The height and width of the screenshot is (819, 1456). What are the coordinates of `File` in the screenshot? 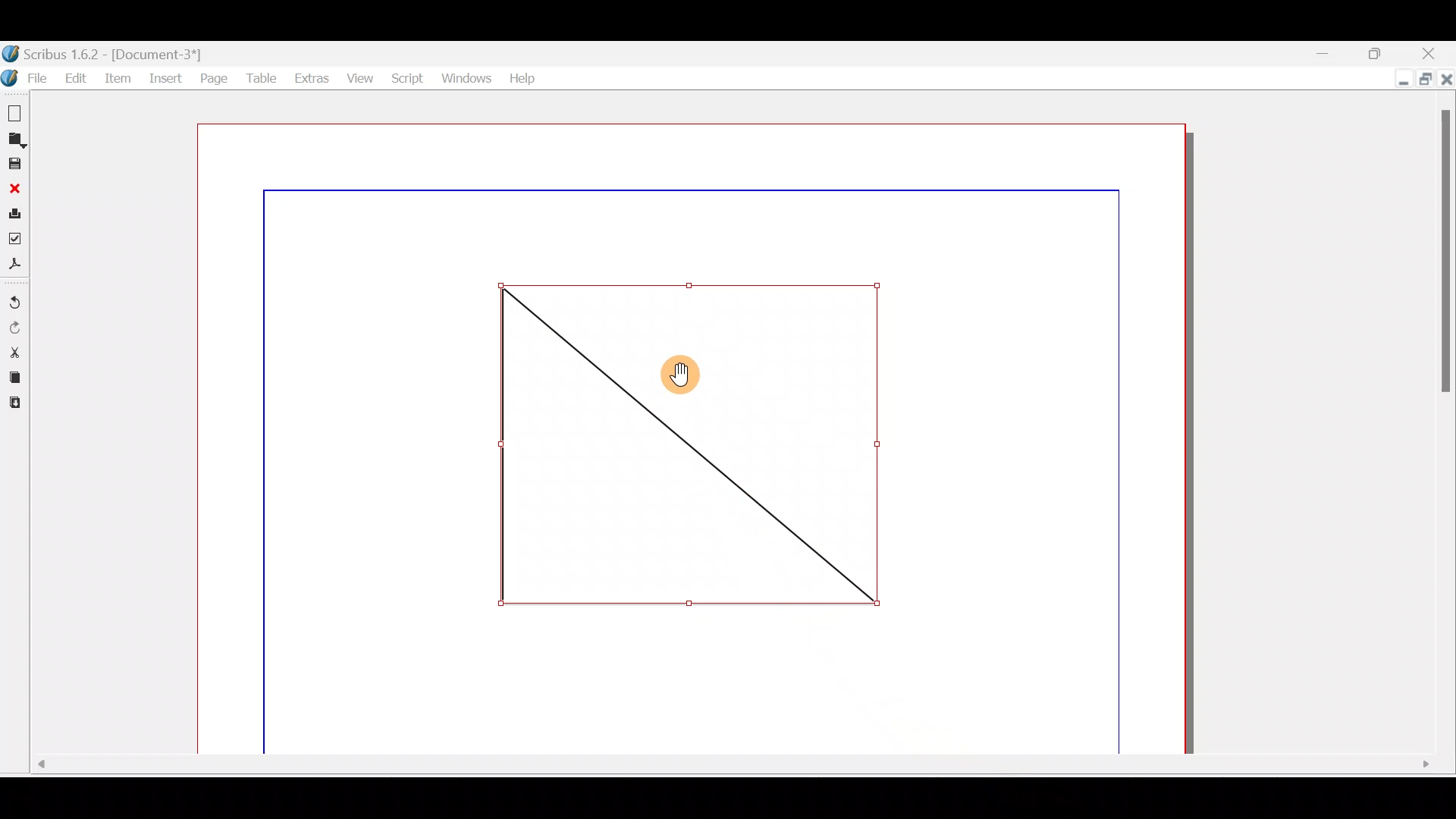 It's located at (24, 78).